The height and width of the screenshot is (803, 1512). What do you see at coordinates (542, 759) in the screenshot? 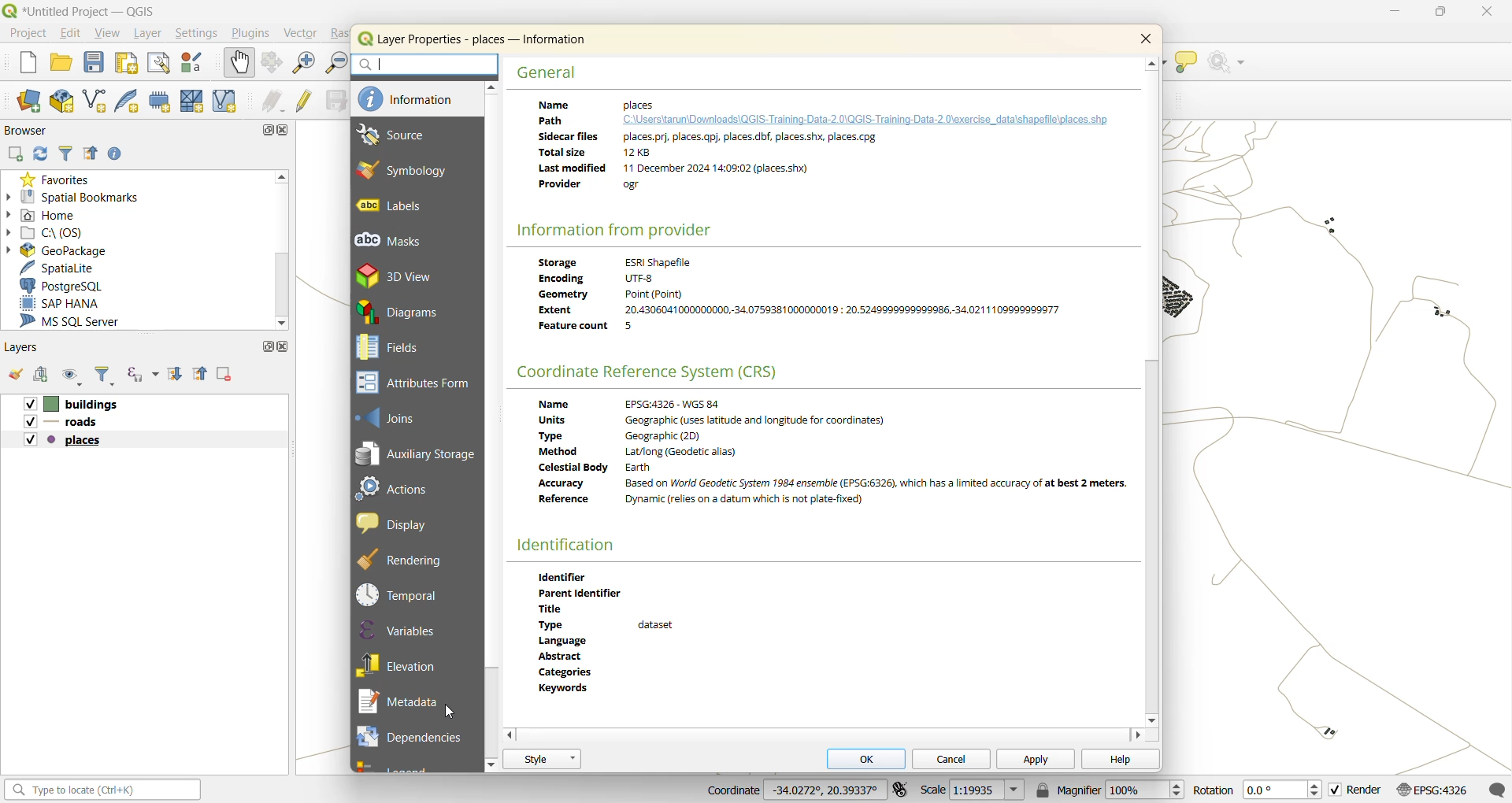
I see `style` at bounding box center [542, 759].